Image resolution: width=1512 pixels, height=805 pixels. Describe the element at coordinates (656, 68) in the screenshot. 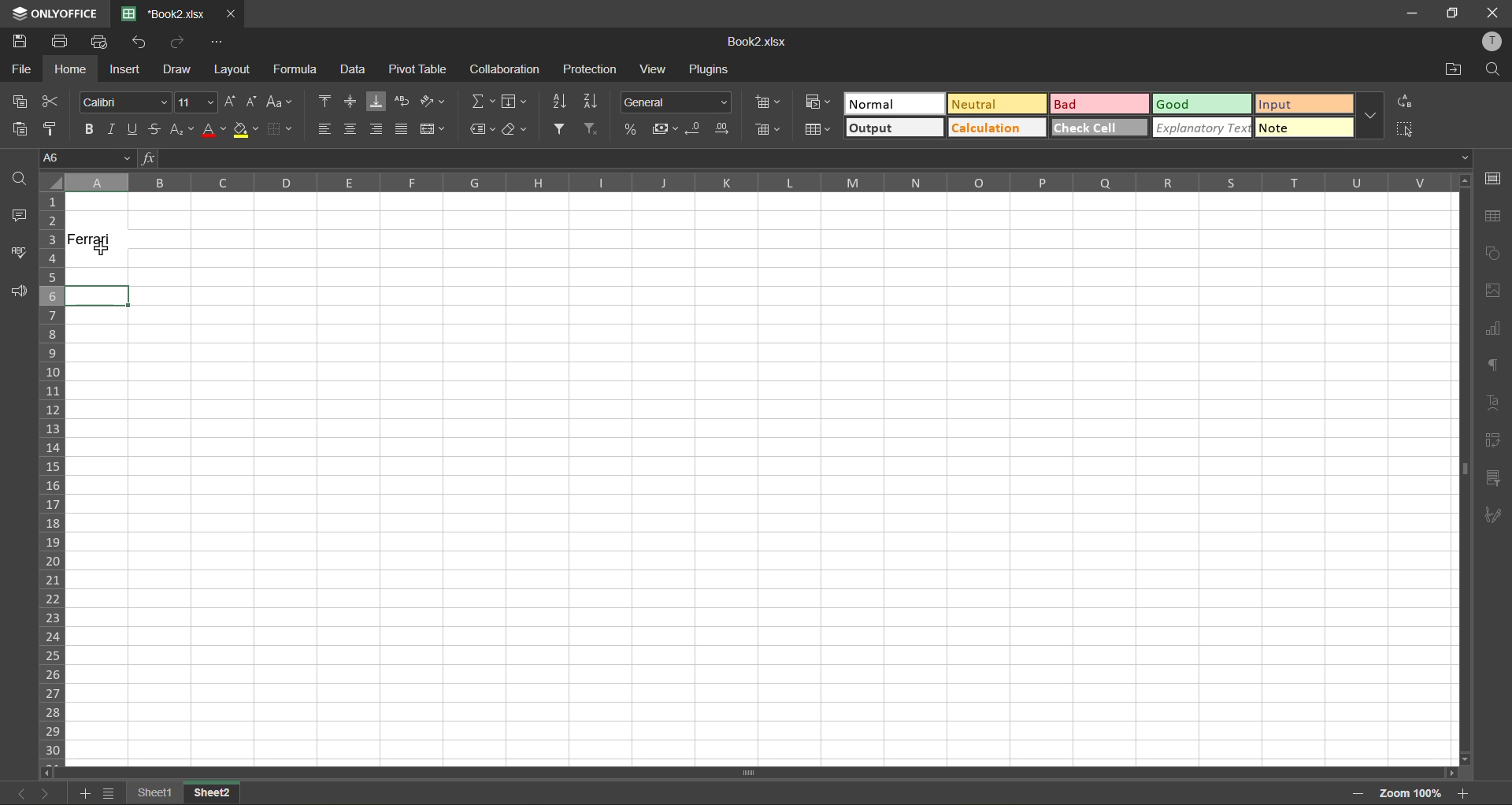

I see `view` at that location.